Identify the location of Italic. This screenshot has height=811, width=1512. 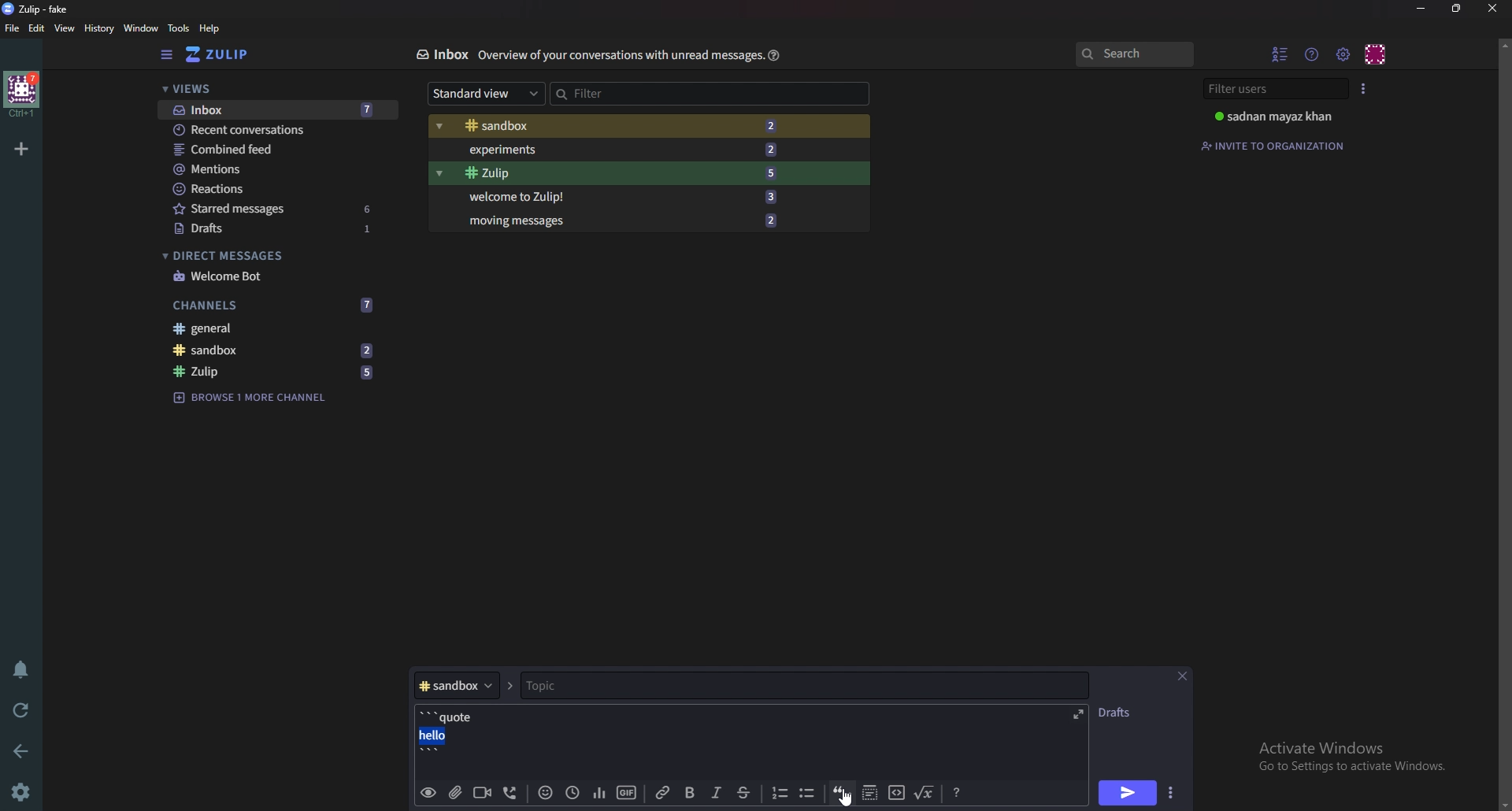
(719, 794).